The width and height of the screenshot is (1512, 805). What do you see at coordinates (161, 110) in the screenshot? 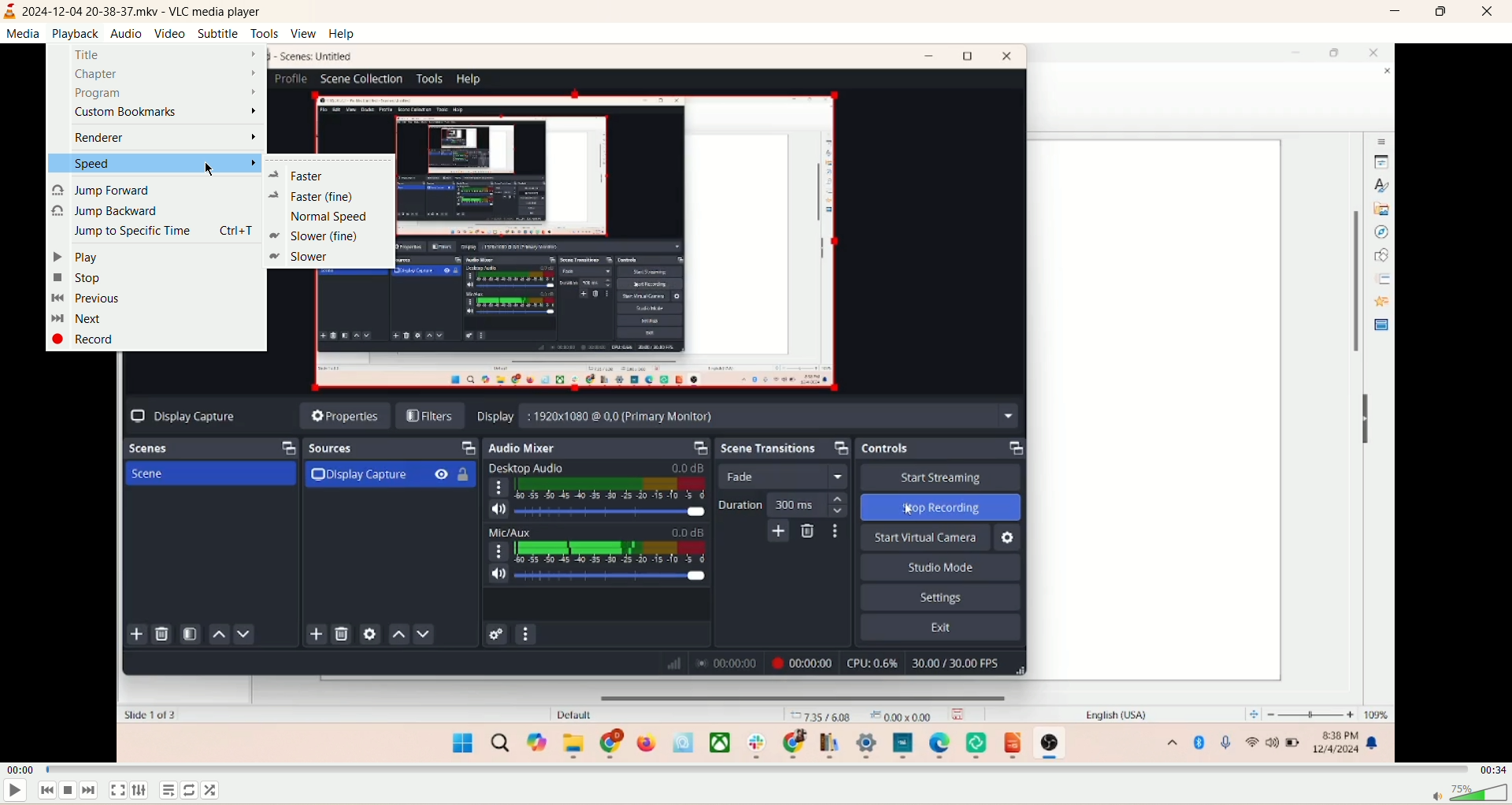
I see `custom bookmark` at bounding box center [161, 110].